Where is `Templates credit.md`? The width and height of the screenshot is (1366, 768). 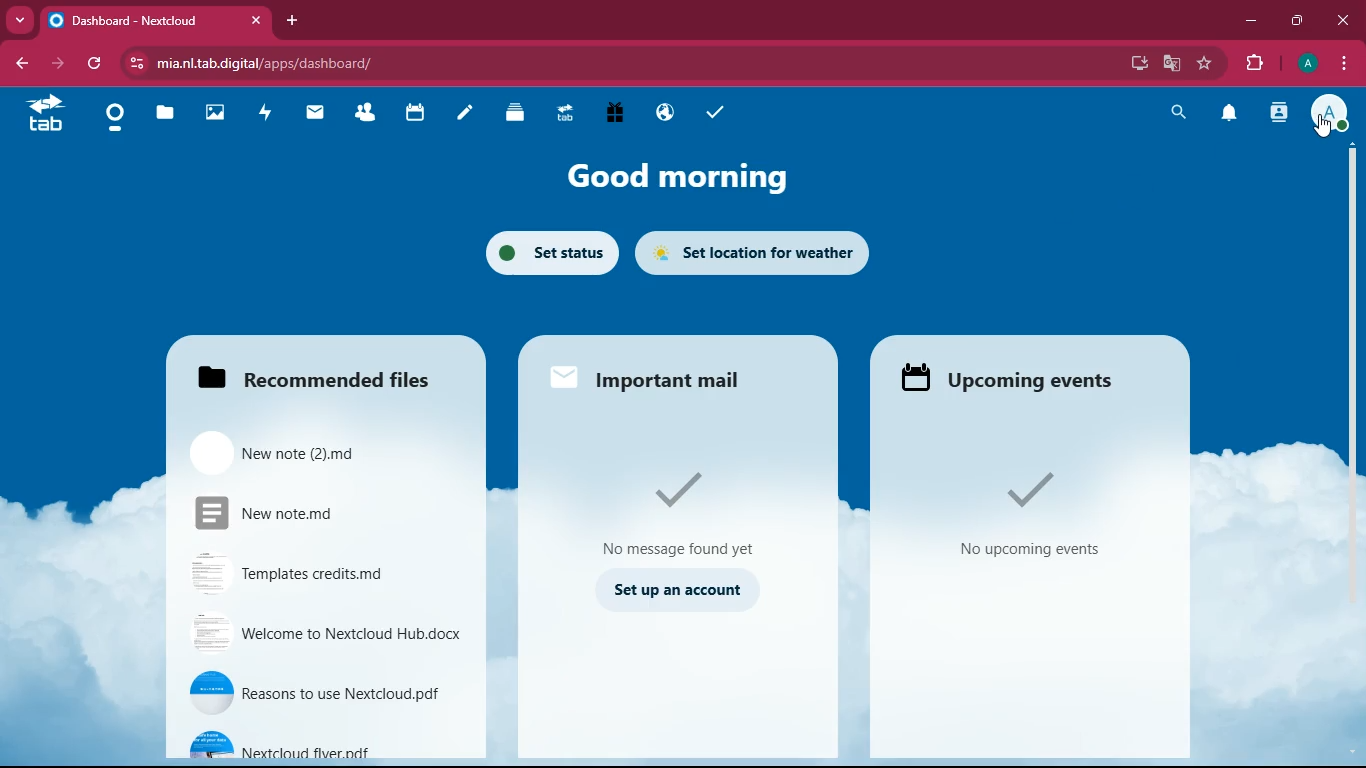 Templates credit.md is located at coordinates (331, 572).